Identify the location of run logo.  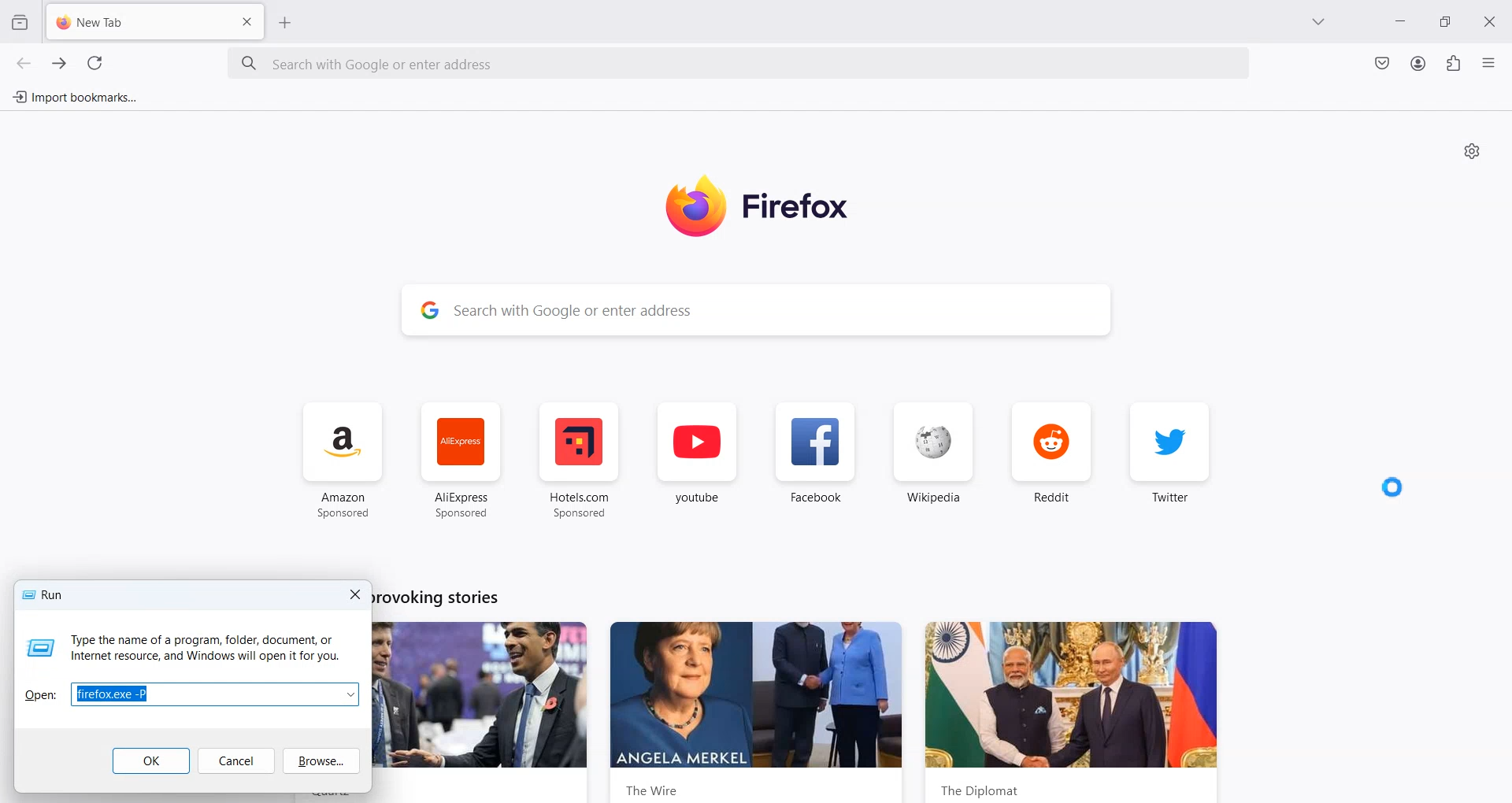
(39, 649).